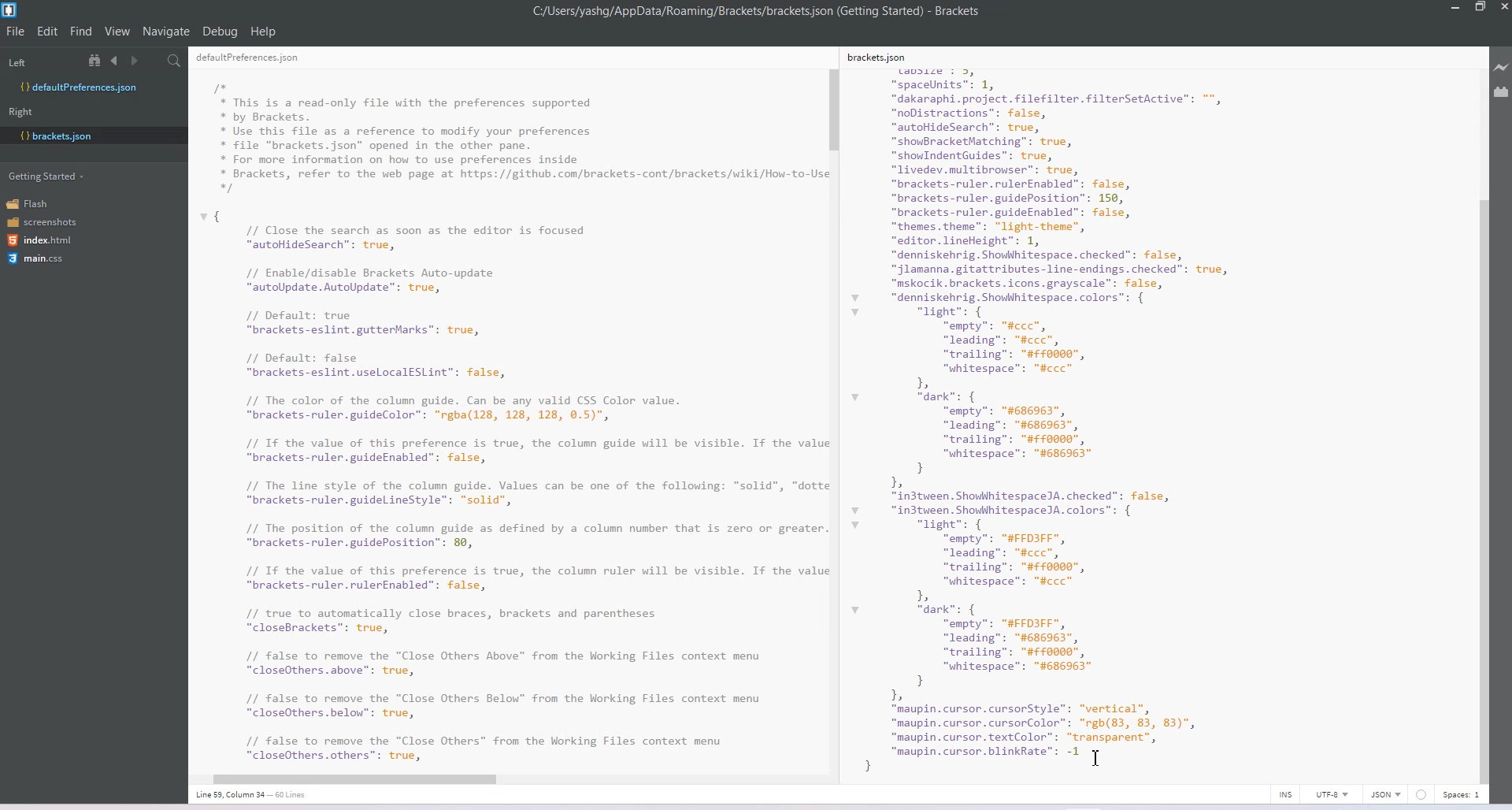  Describe the element at coordinates (1502, 95) in the screenshot. I see `Extension Manager` at that location.